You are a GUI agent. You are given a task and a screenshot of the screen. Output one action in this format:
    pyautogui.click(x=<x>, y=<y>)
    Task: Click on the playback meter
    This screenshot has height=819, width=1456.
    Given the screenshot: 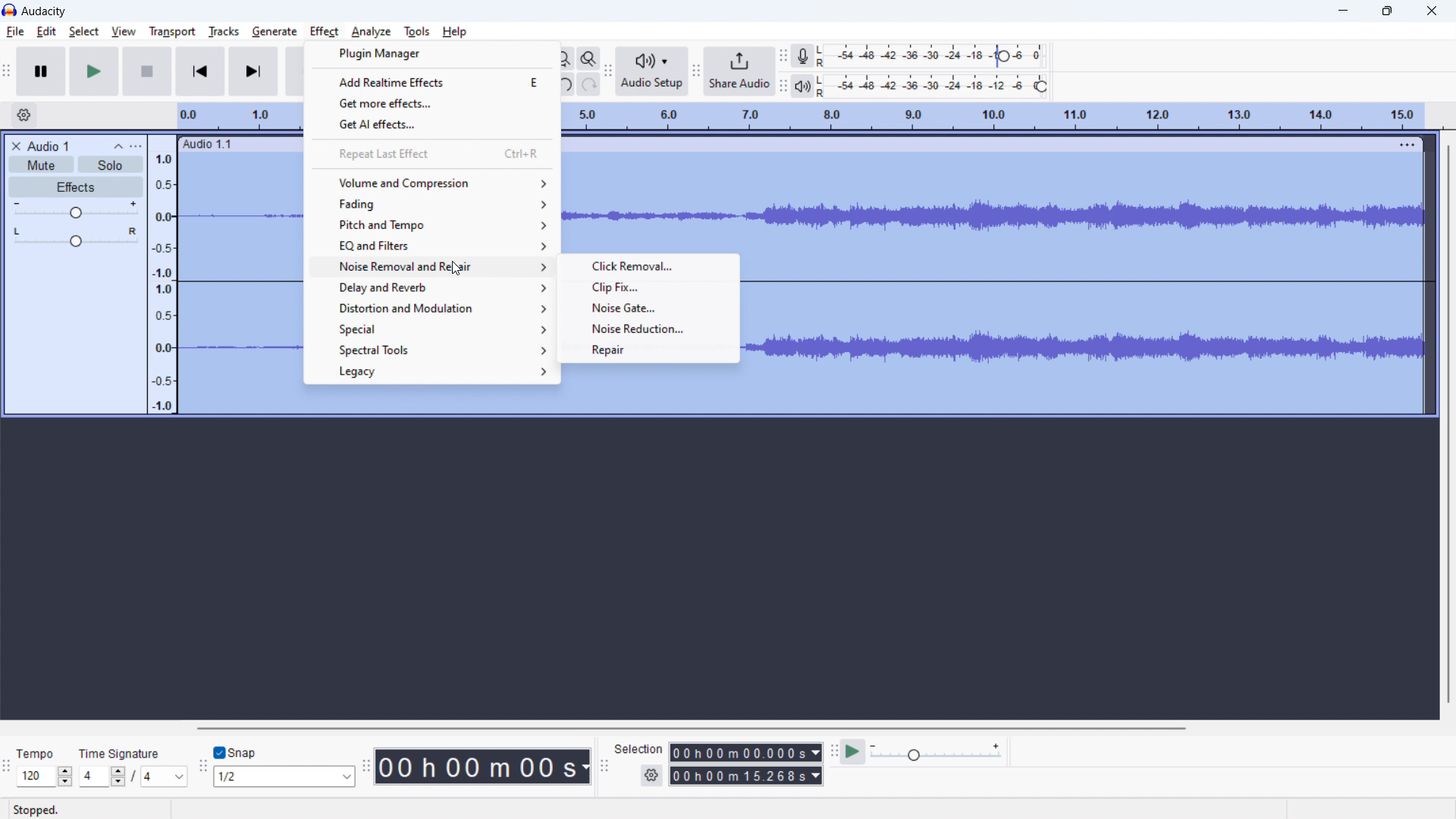 What is the action you would take?
    pyautogui.click(x=802, y=86)
    